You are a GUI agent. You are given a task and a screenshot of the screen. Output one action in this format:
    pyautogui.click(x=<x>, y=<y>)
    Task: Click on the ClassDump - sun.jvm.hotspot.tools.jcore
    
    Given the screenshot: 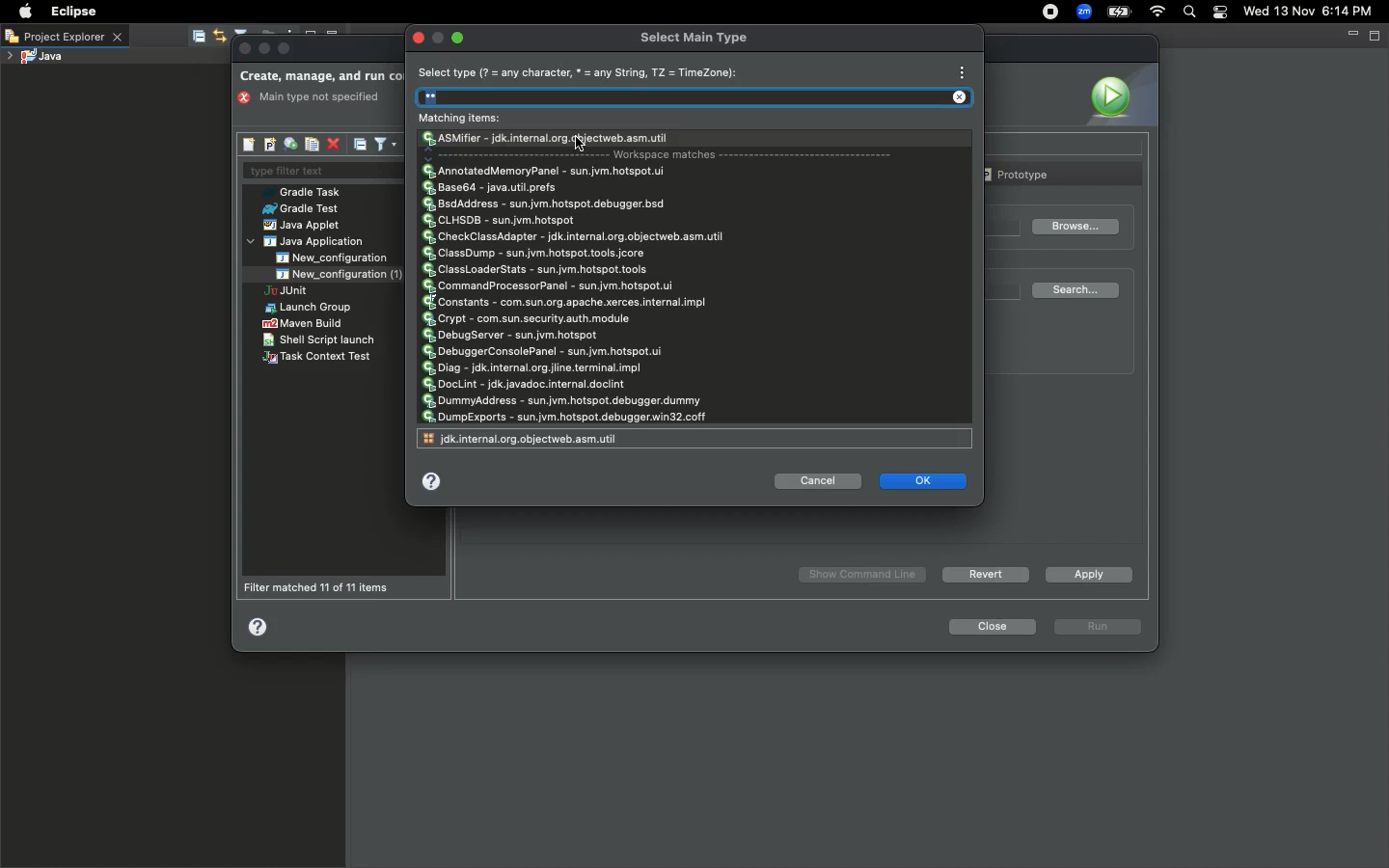 What is the action you would take?
    pyautogui.click(x=535, y=254)
    